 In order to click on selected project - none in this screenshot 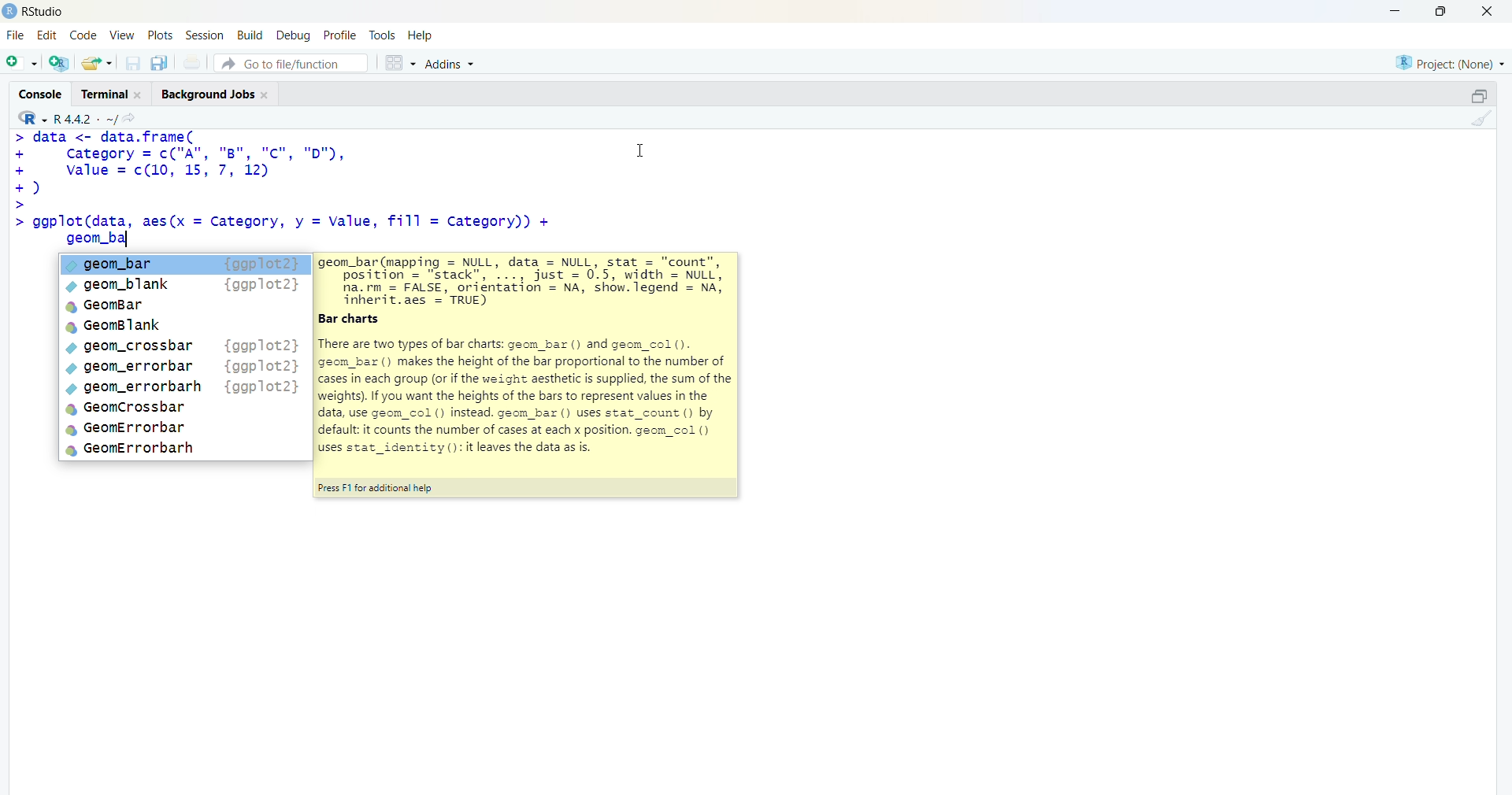, I will do `click(1452, 62)`.